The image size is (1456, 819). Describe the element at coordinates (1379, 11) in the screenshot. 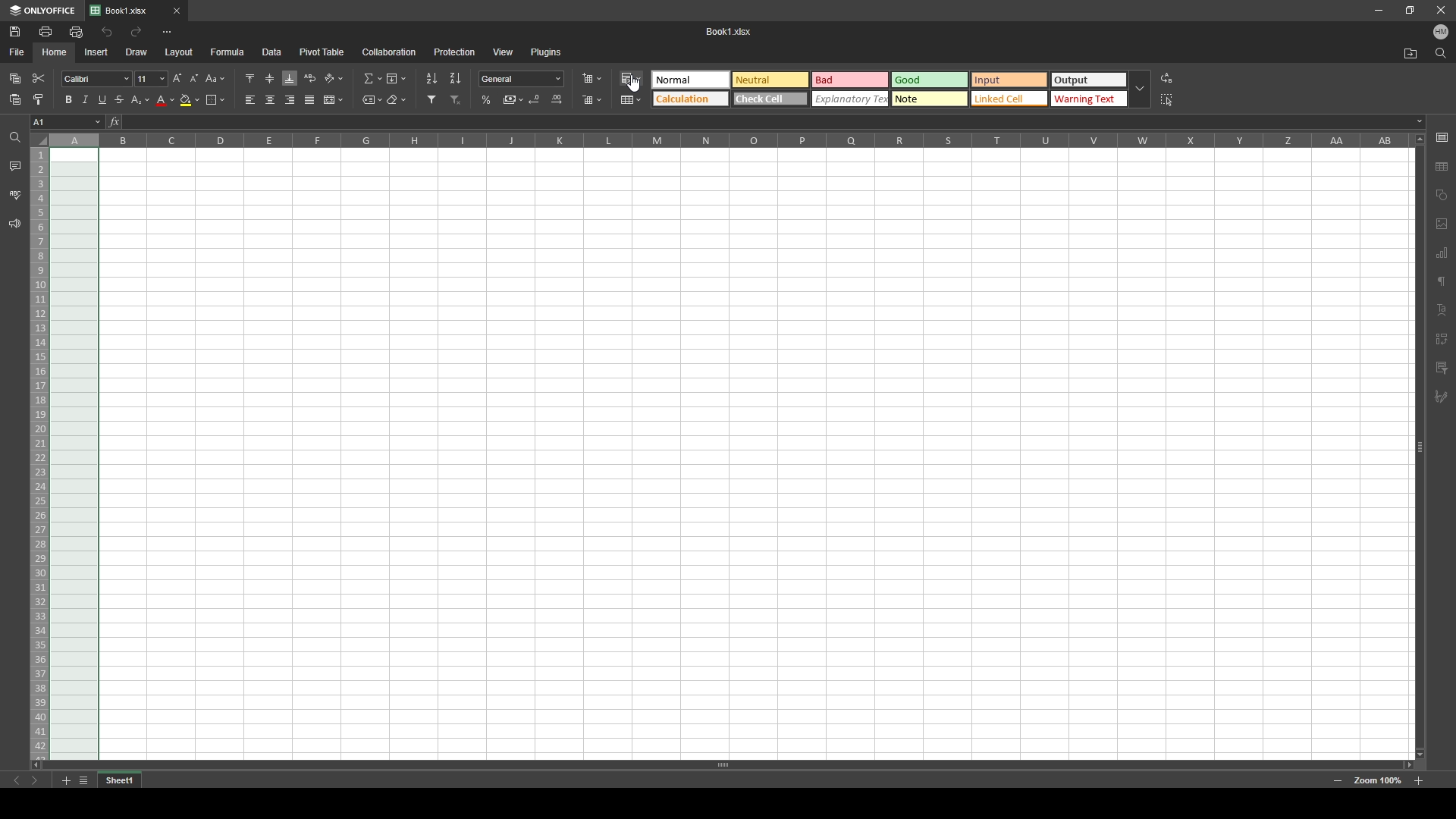

I see `minimize` at that location.